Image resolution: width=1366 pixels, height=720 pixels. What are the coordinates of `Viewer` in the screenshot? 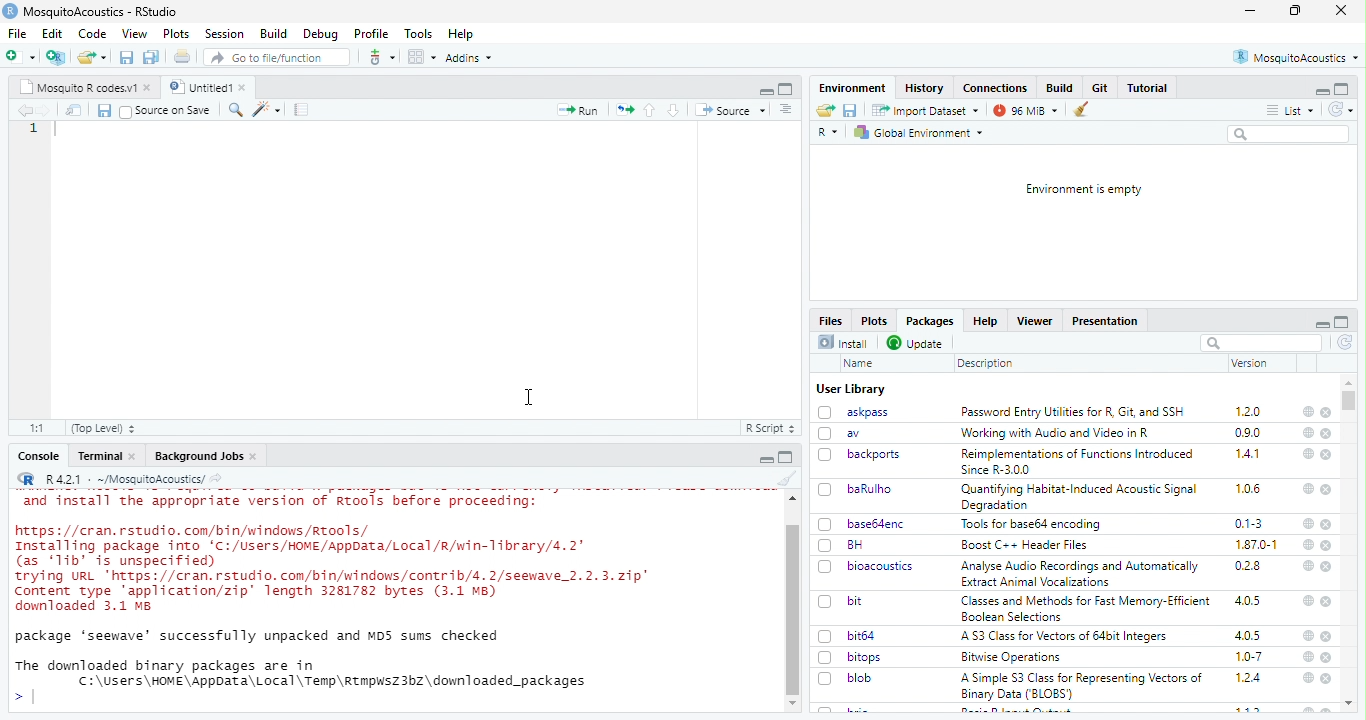 It's located at (1034, 321).